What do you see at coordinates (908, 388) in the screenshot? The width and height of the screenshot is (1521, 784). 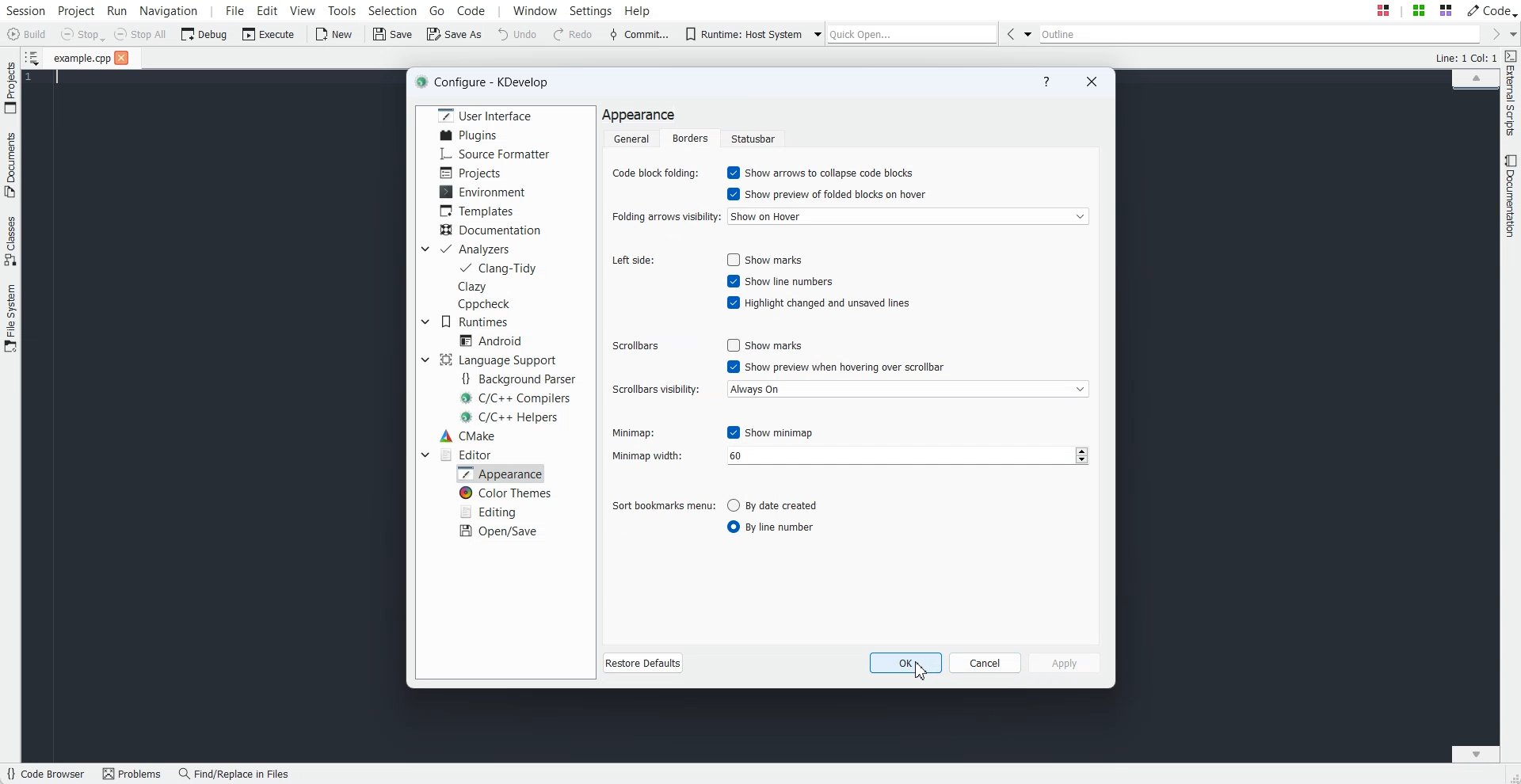 I see `Always On` at bounding box center [908, 388].